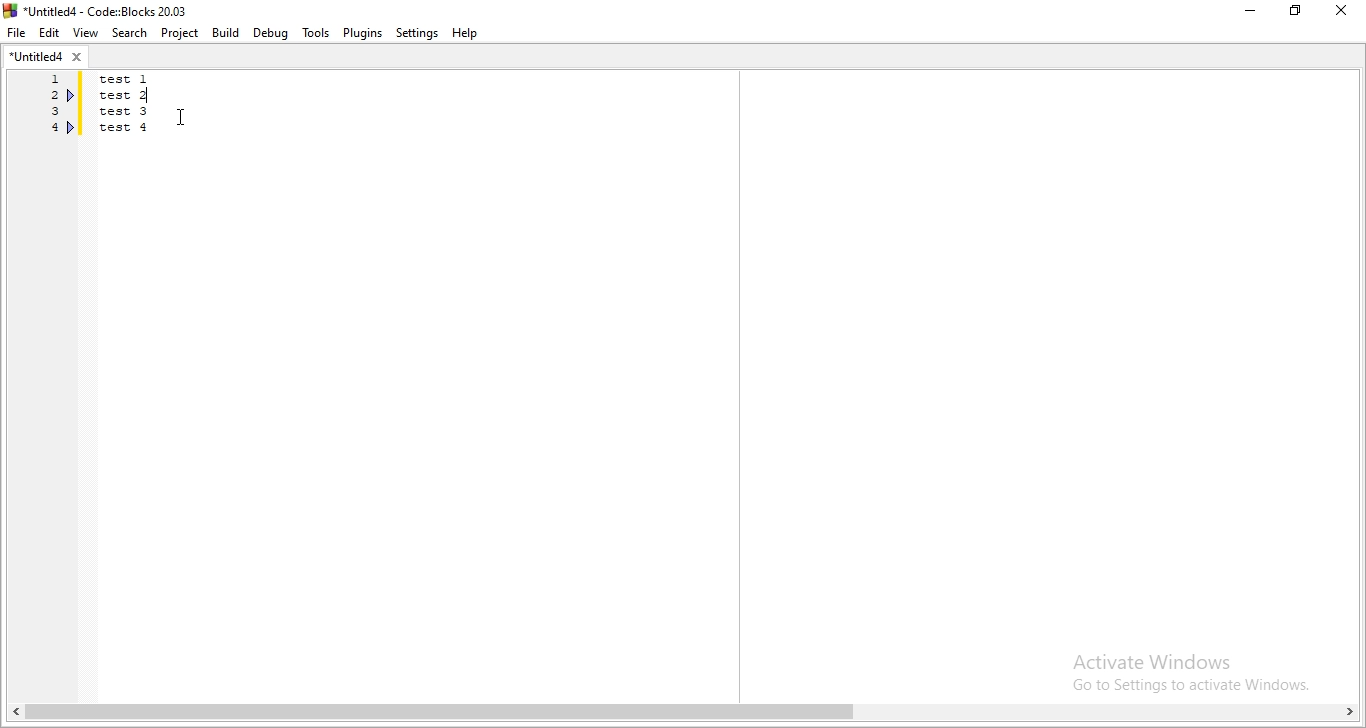 Image resolution: width=1366 pixels, height=728 pixels. I want to click on Help, so click(469, 34).